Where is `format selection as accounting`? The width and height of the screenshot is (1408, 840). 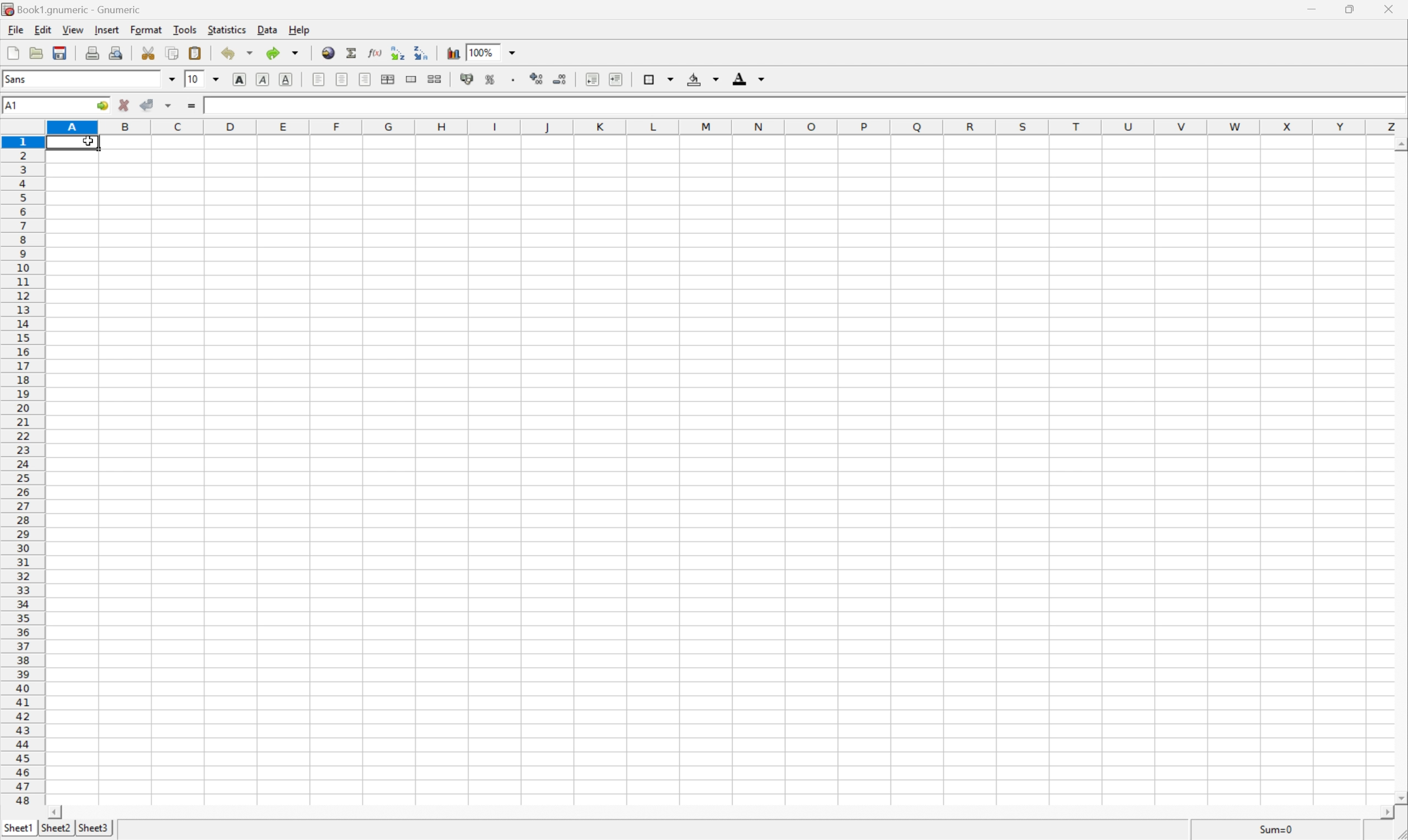 format selection as accounting is located at coordinates (468, 79).